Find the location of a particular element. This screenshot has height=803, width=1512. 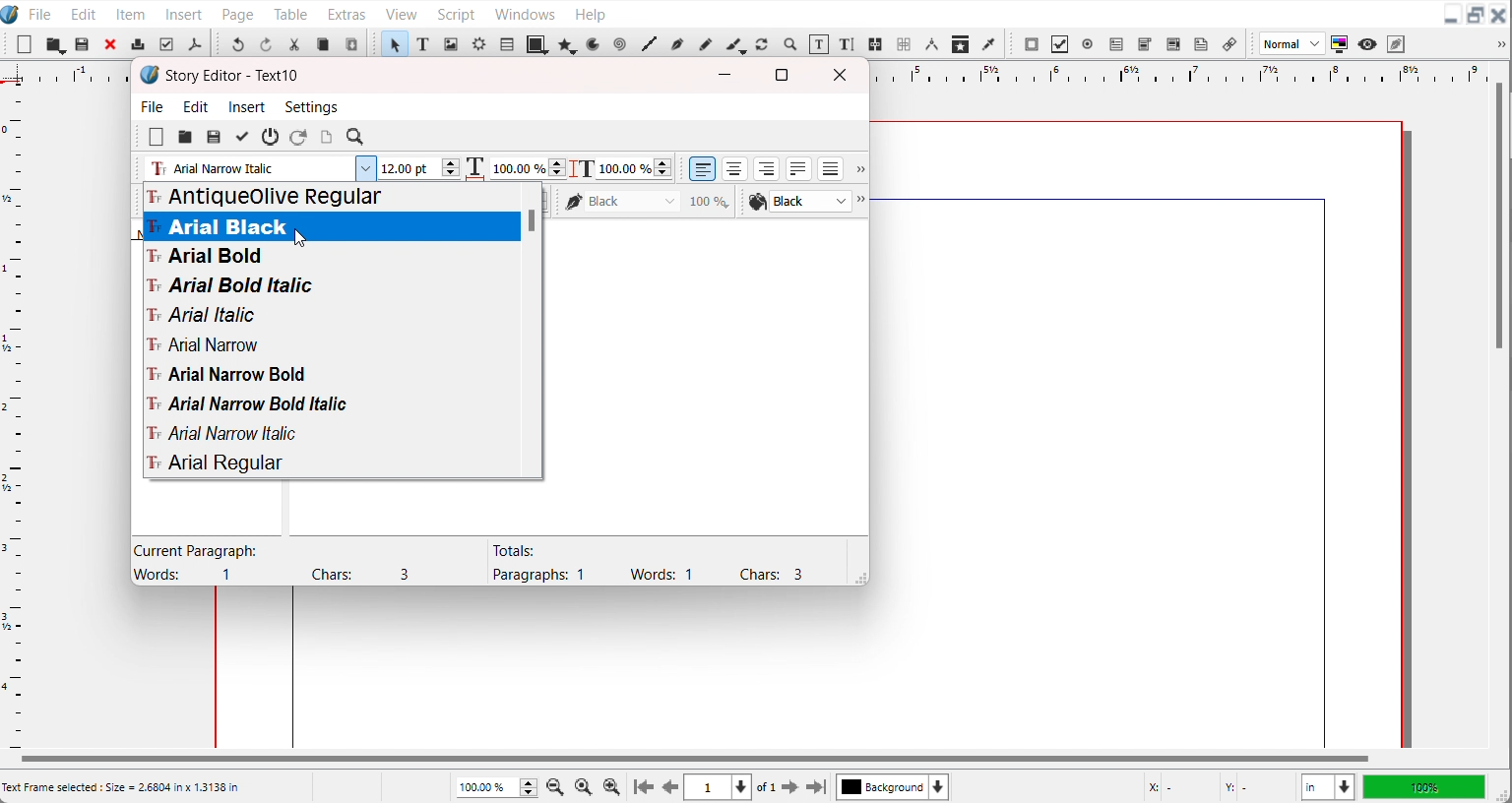

Preflight verifier is located at coordinates (165, 44).